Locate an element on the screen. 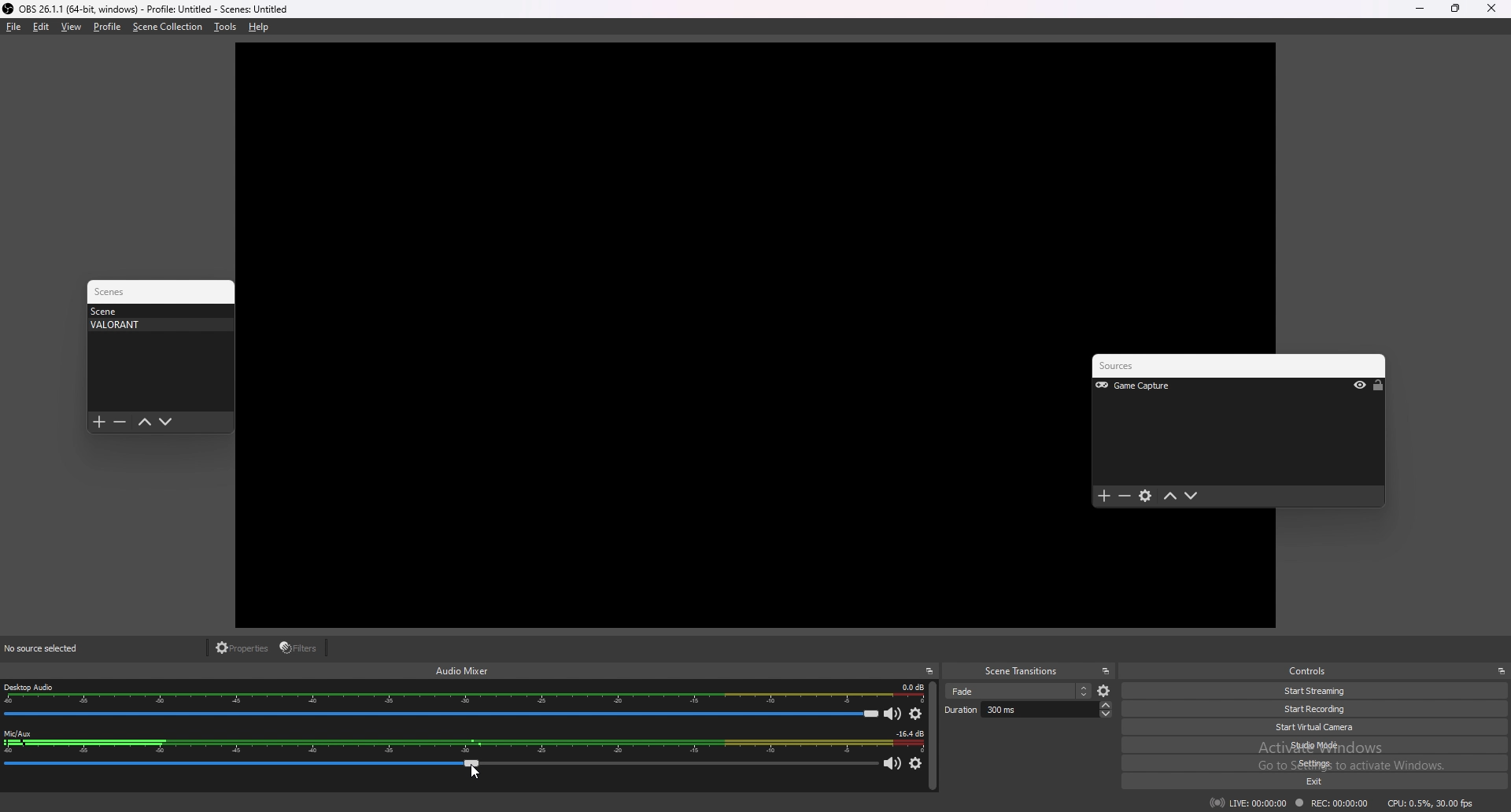 This screenshot has width=1511, height=812. tools is located at coordinates (225, 27).